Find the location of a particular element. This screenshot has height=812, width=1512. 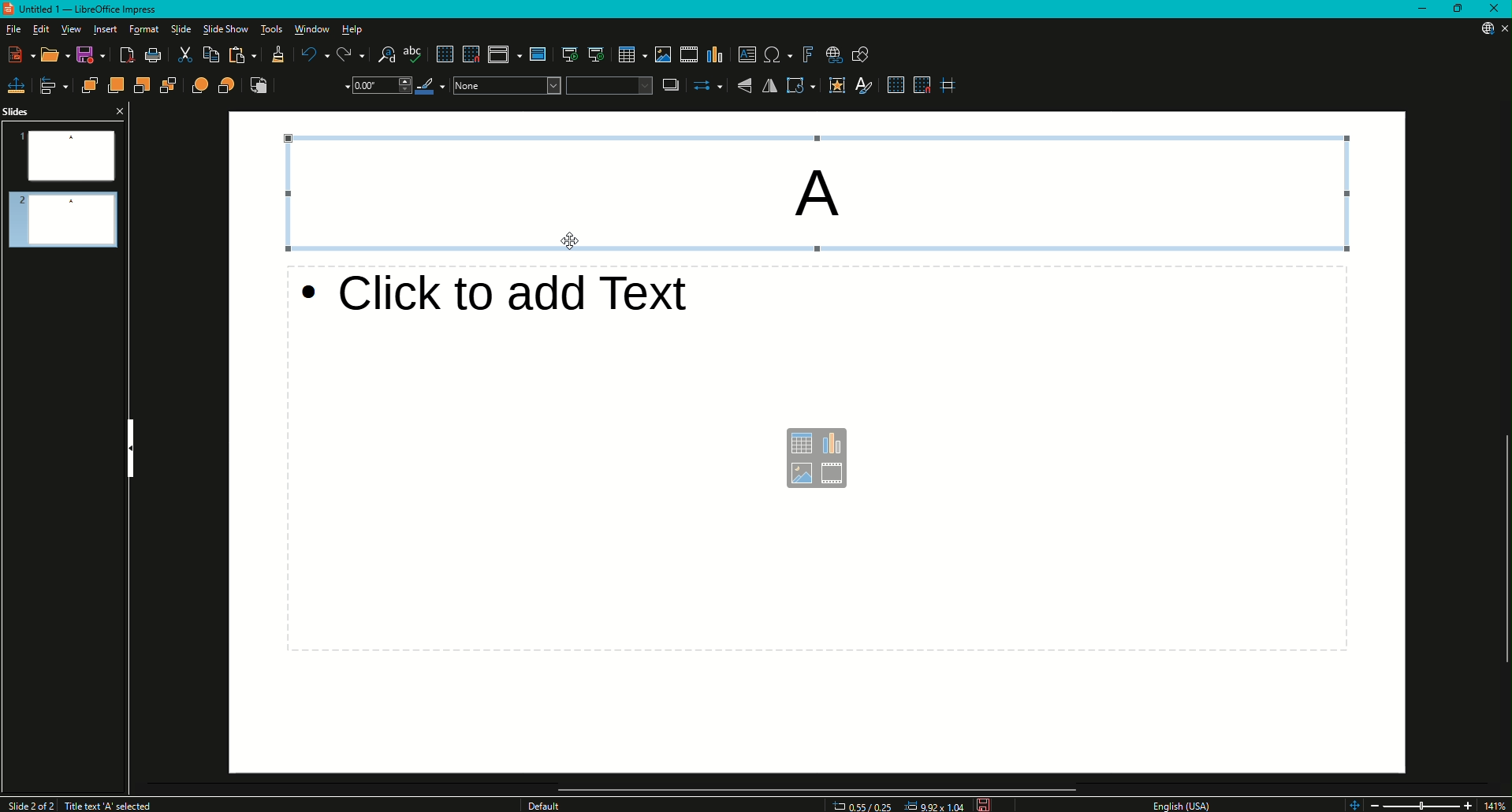

Close is located at coordinates (1492, 9).